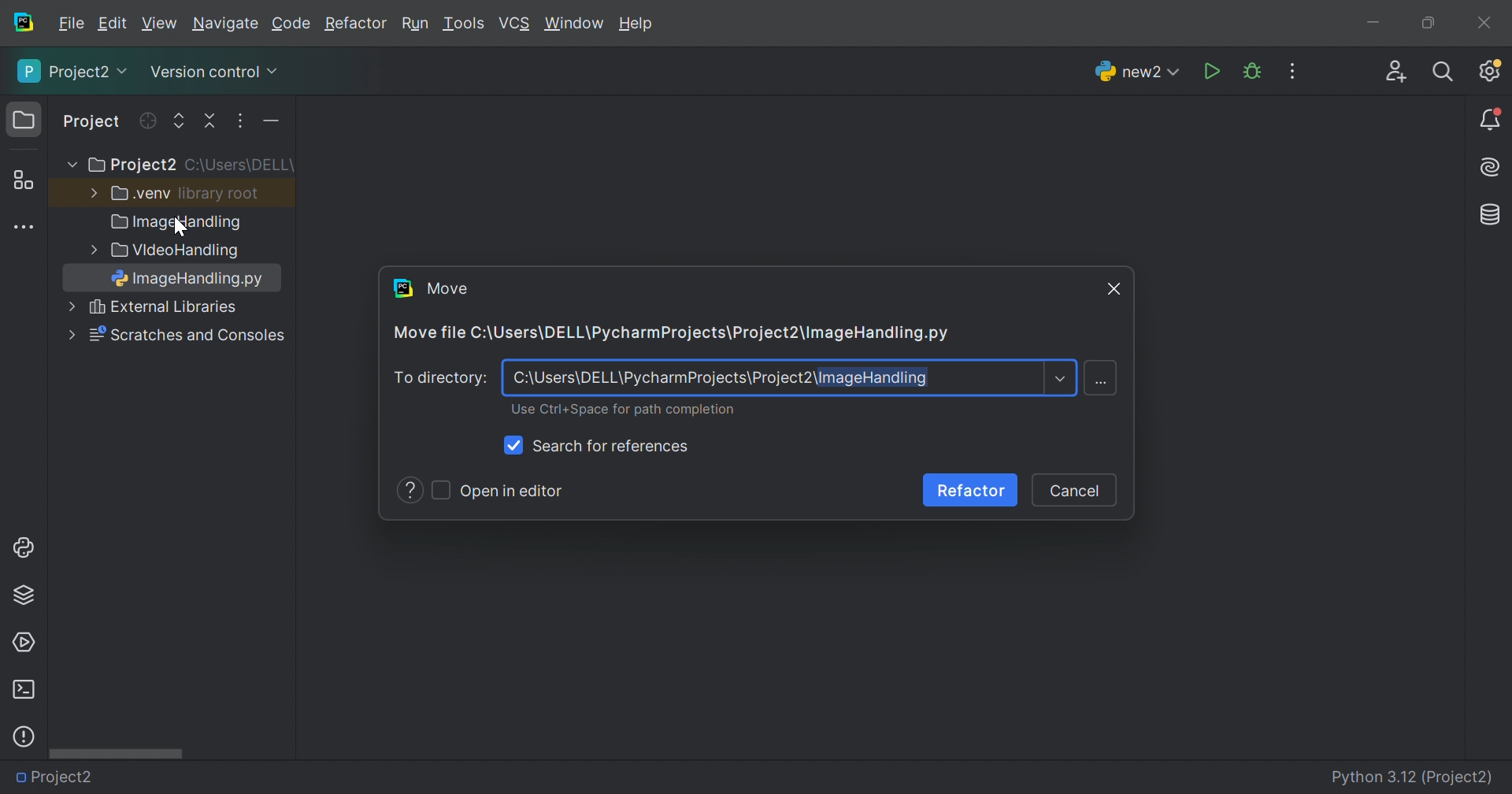 The height and width of the screenshot is (794, 1512). What do you see at coordinates (220, 193) in the screenshot?
I see `library root` at bounding box center [220, 193].